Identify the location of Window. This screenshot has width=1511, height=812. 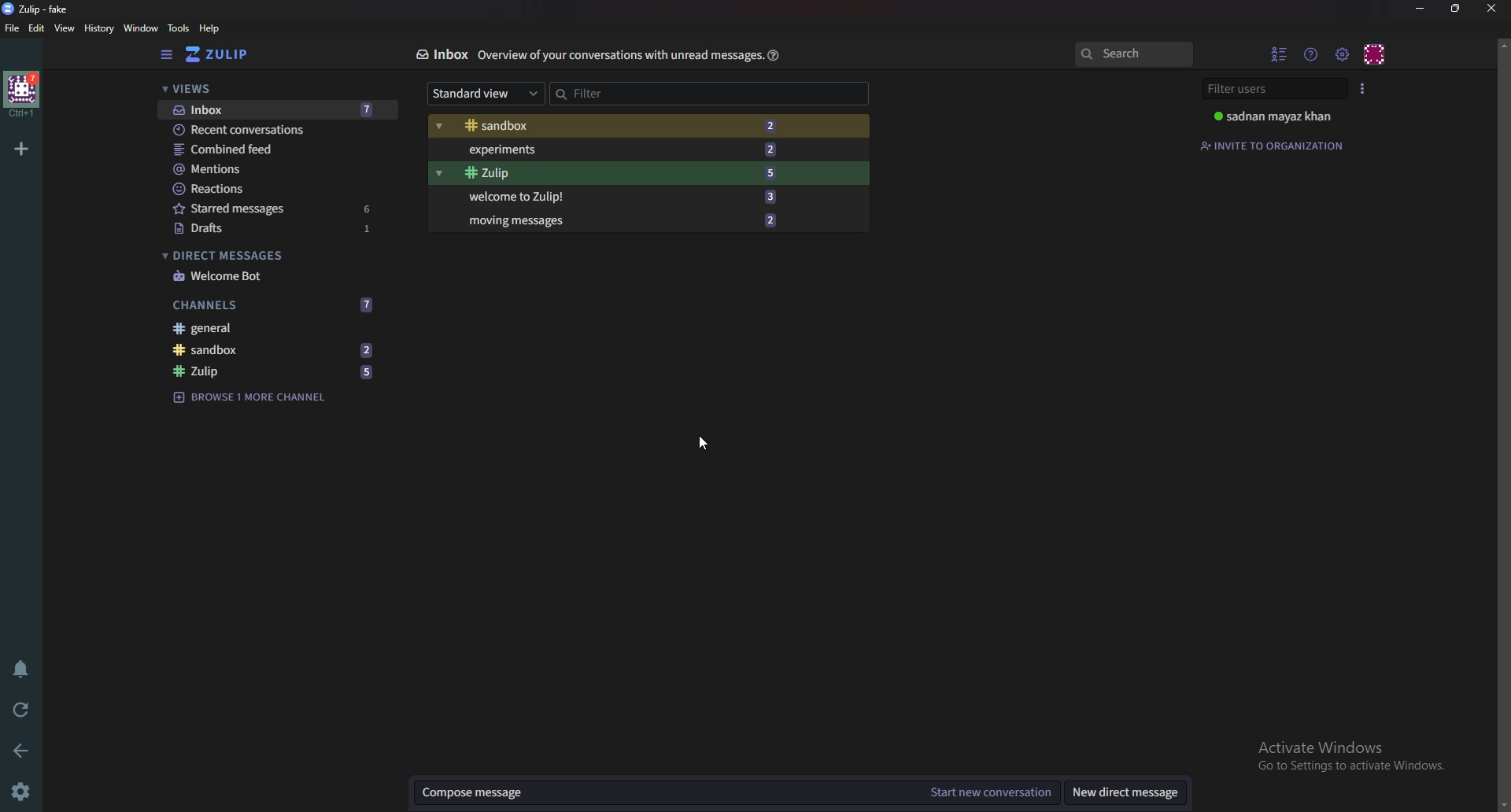
(142, 28).